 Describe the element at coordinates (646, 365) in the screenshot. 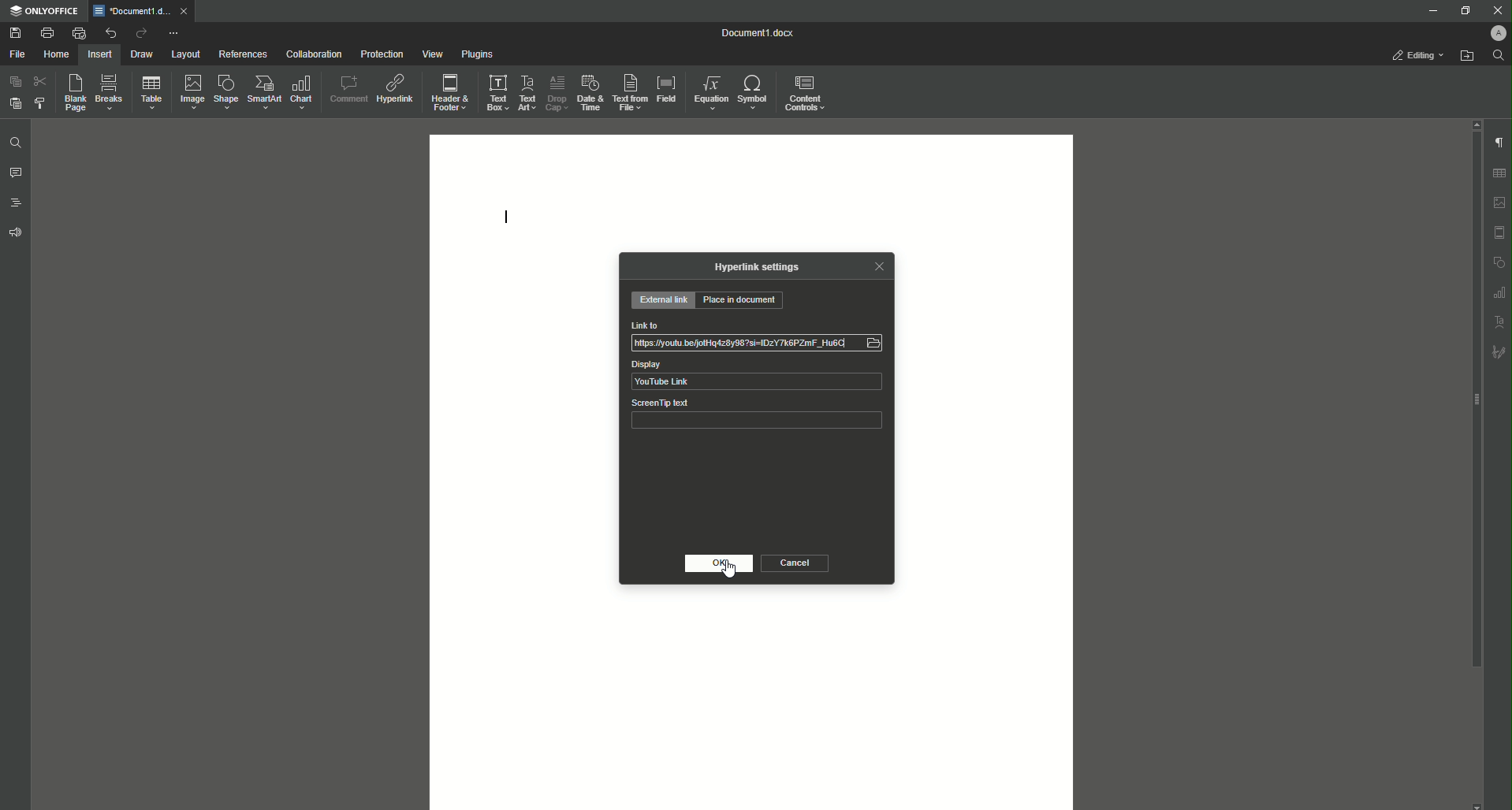

I see `Display` at that location.